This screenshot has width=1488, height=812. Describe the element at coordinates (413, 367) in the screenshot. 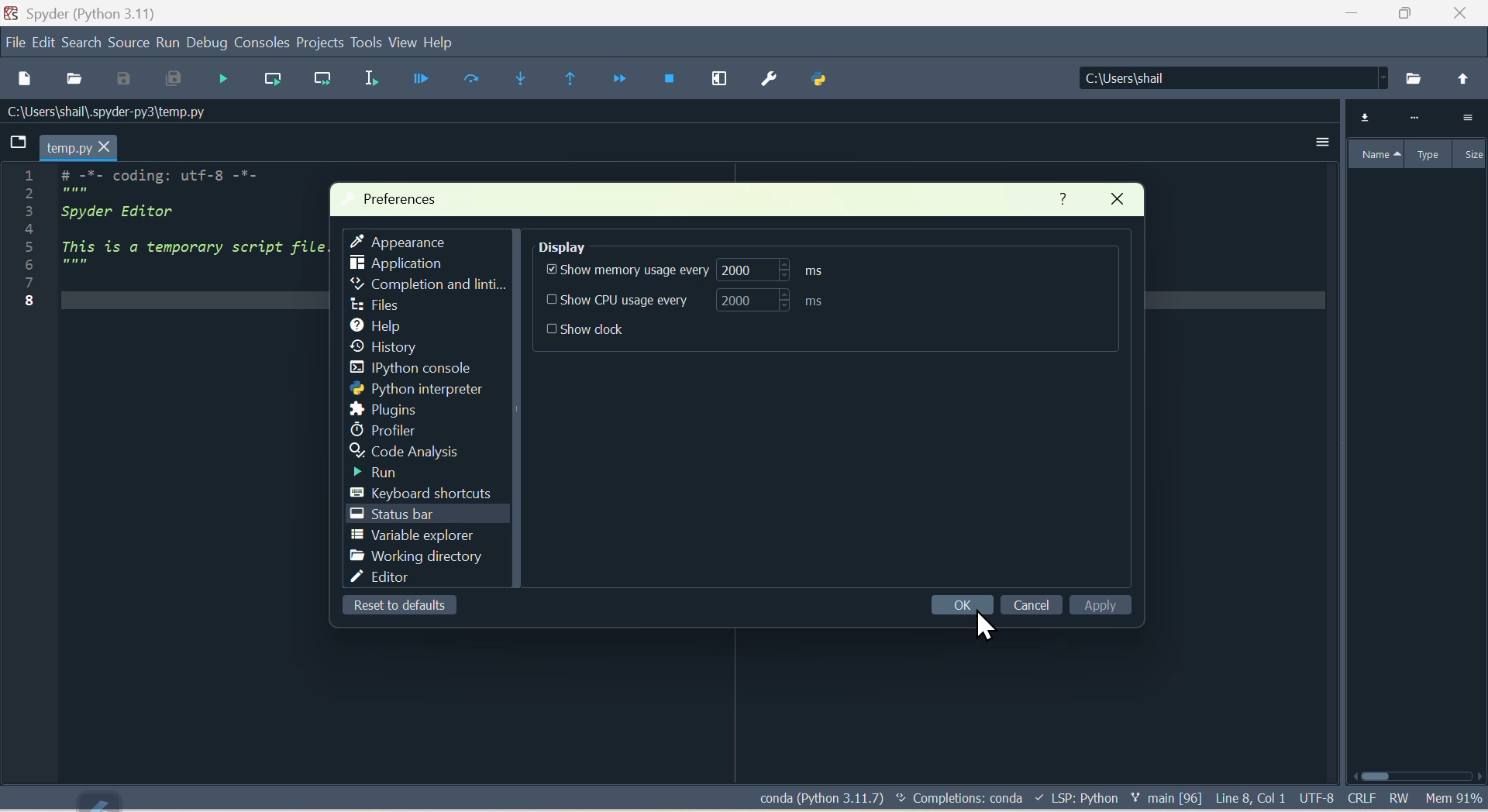

I see `I python console` at that location.